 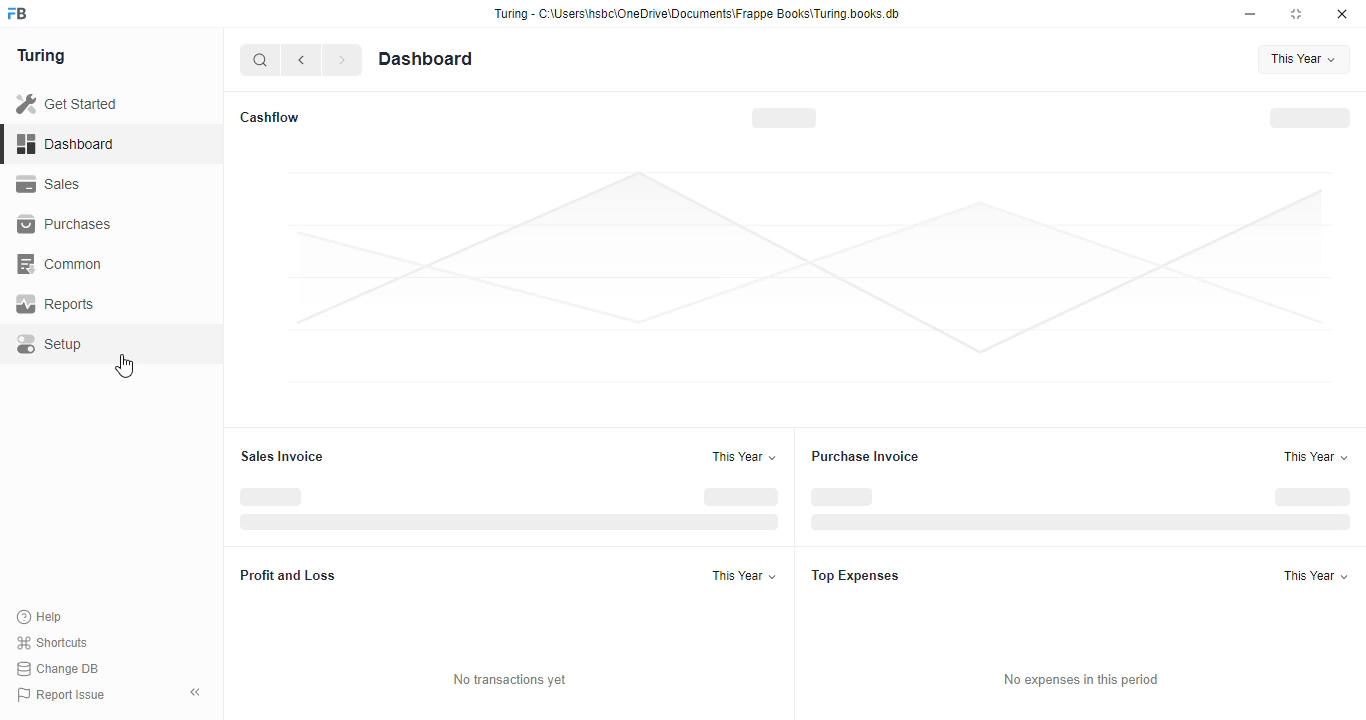 What do you see at coordinates (743, 456) in the screenshot?
I see `this year` at bounding box center [743, 456].